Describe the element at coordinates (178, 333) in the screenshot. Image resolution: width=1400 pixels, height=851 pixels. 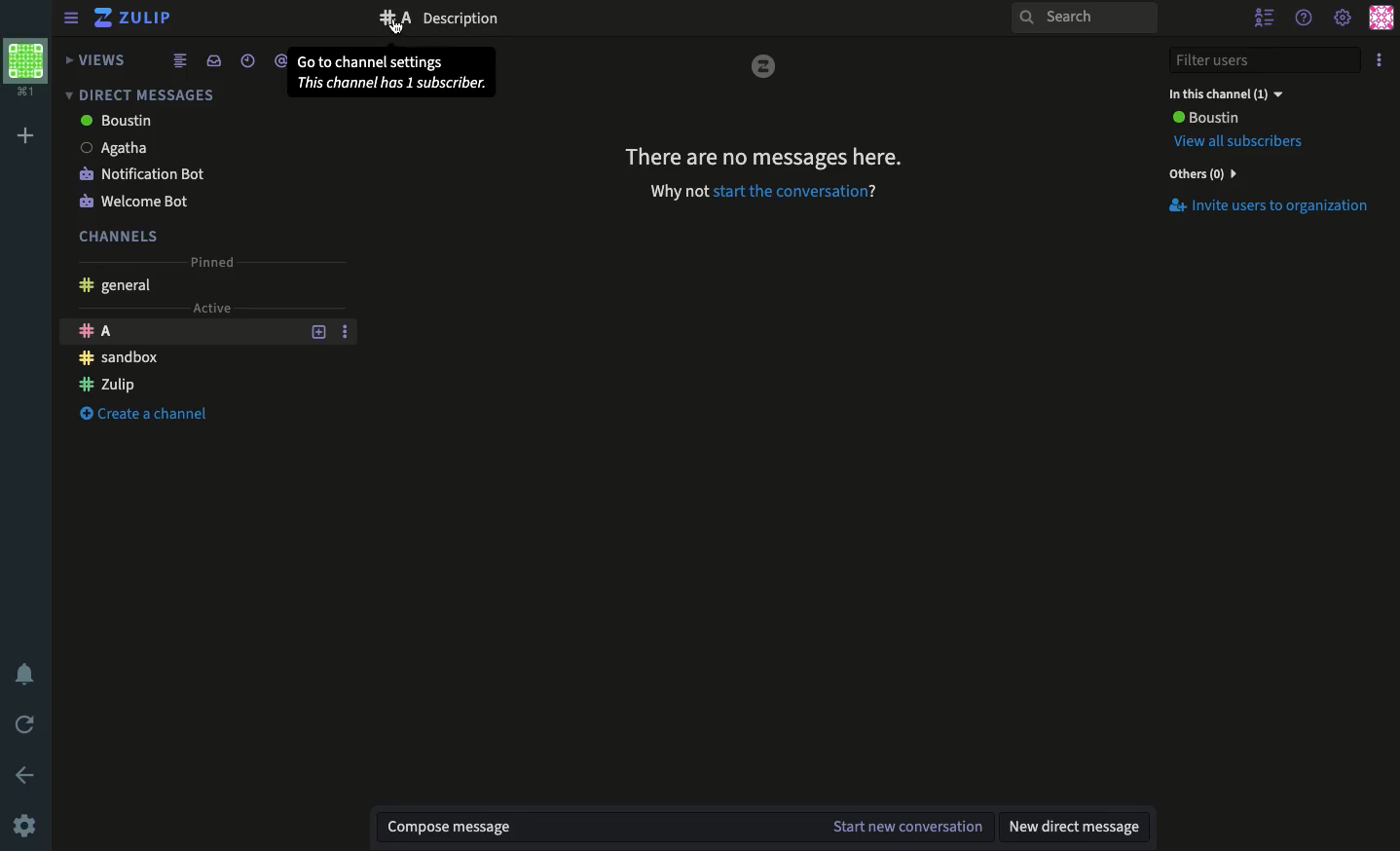
I see `A` at that location.